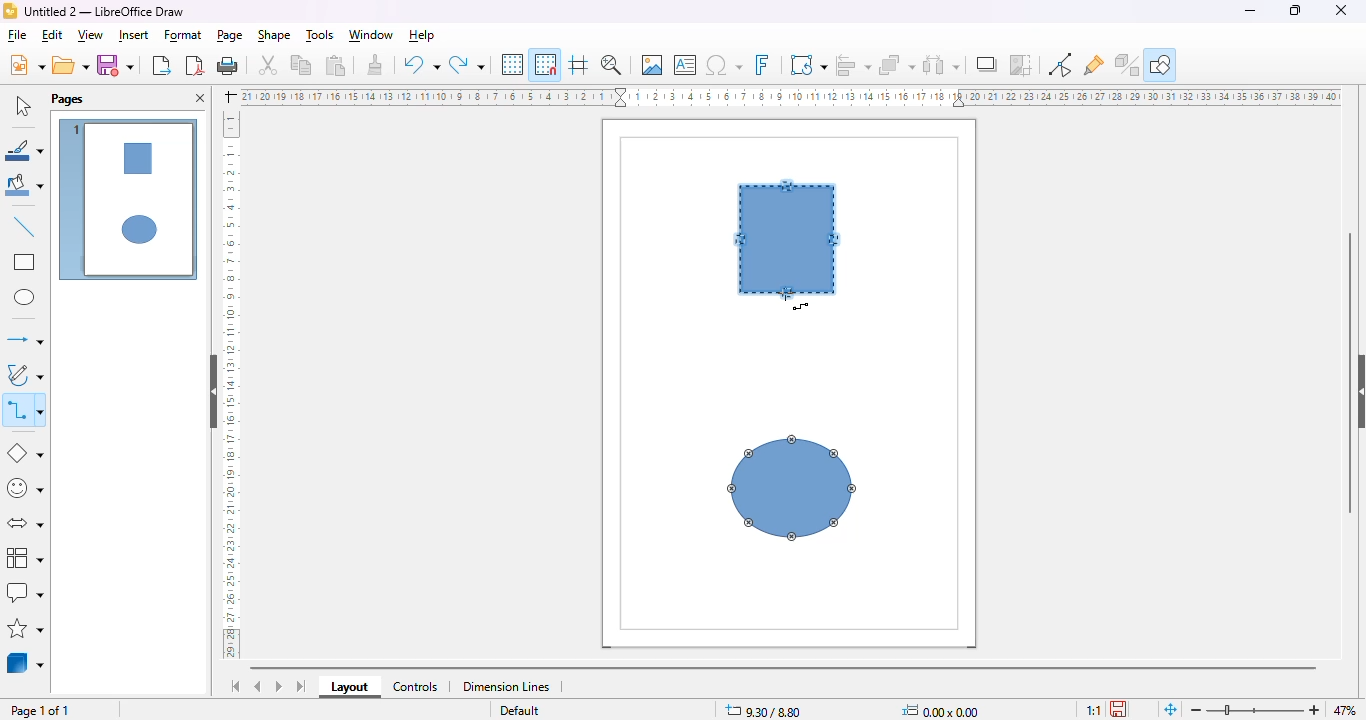 Image resolution: width=1366 pixels, height=720 pixels. I want to click on display grid, so click(512, 64).